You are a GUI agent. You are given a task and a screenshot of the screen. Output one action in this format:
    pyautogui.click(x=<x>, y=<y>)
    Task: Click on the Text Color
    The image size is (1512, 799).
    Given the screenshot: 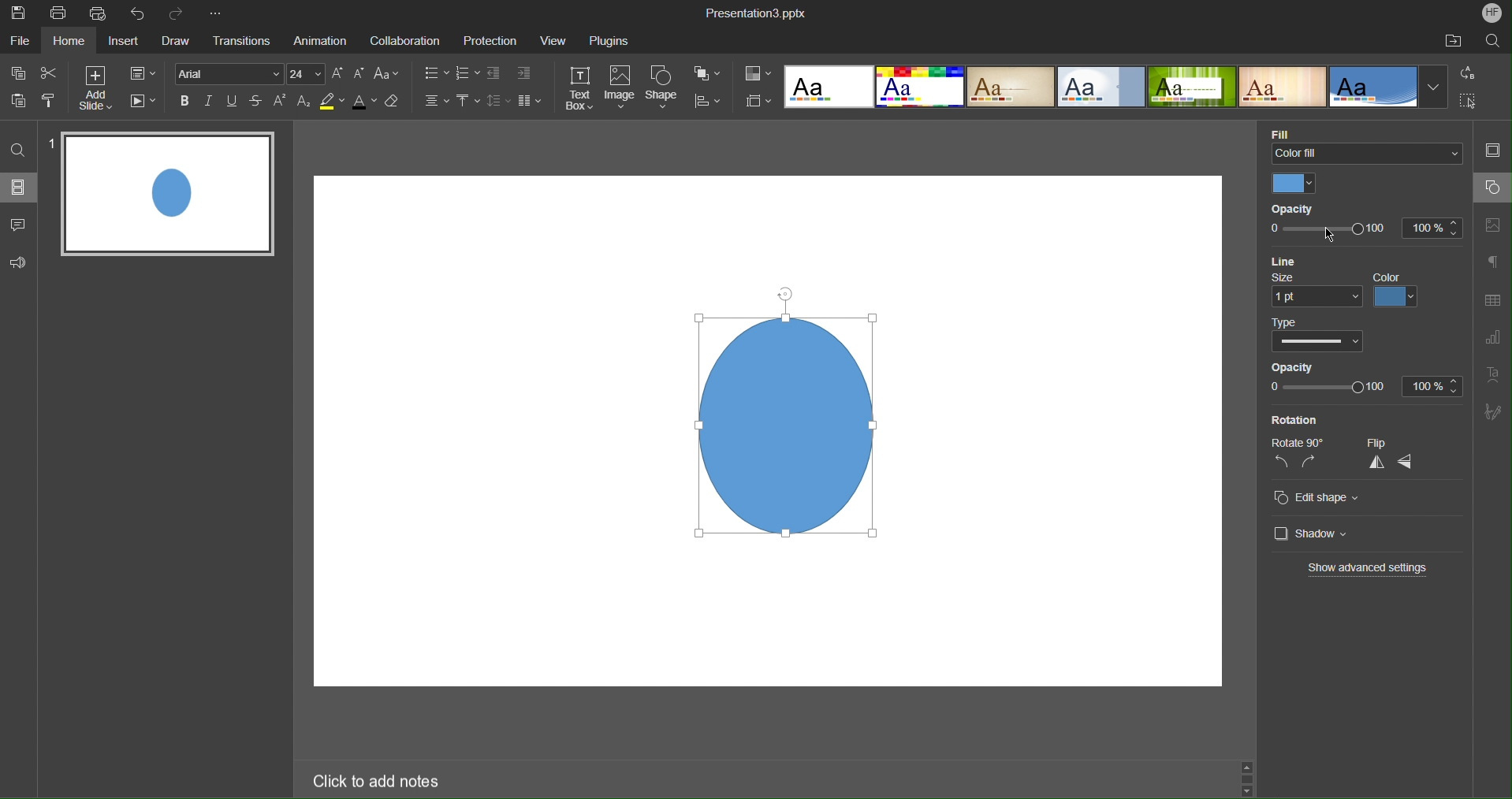 What is the action you would take?
    pyautogui.click(x=364, y=104)
    